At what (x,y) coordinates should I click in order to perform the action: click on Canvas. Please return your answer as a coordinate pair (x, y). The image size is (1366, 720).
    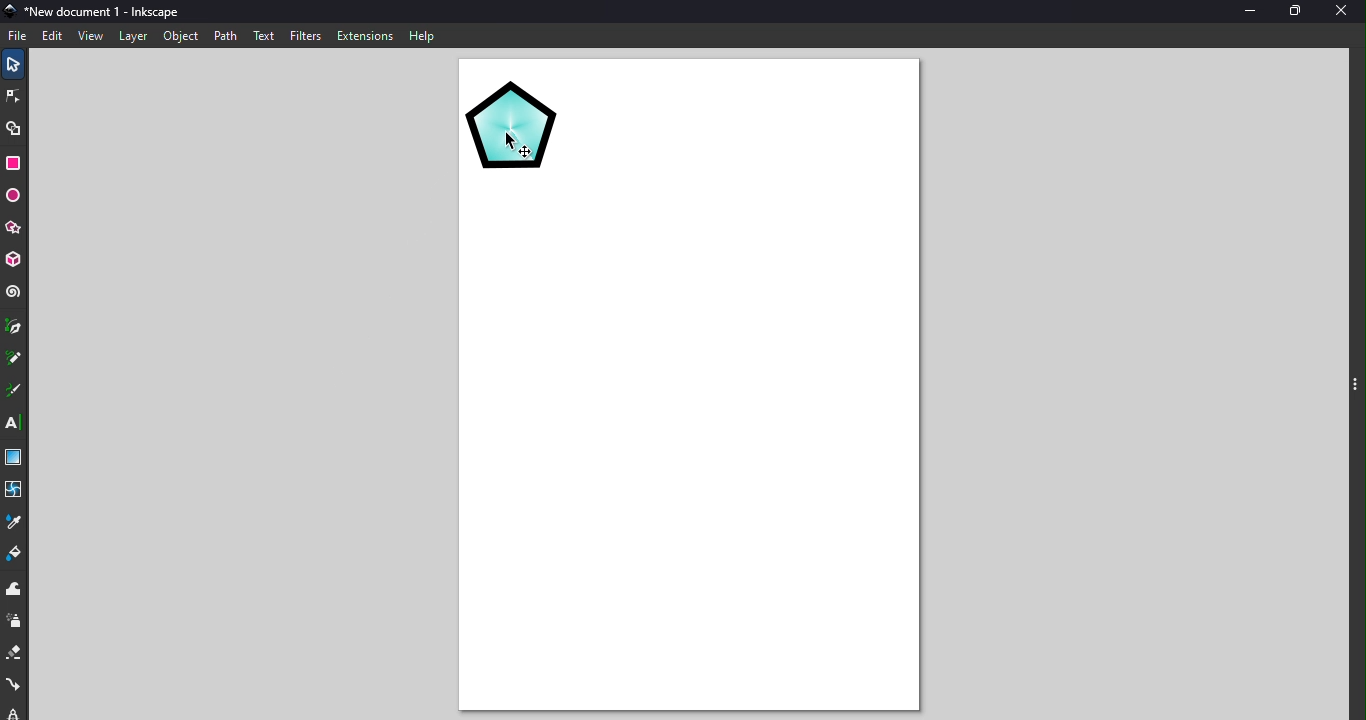
    Looking at the image, I should click on (688, 388).